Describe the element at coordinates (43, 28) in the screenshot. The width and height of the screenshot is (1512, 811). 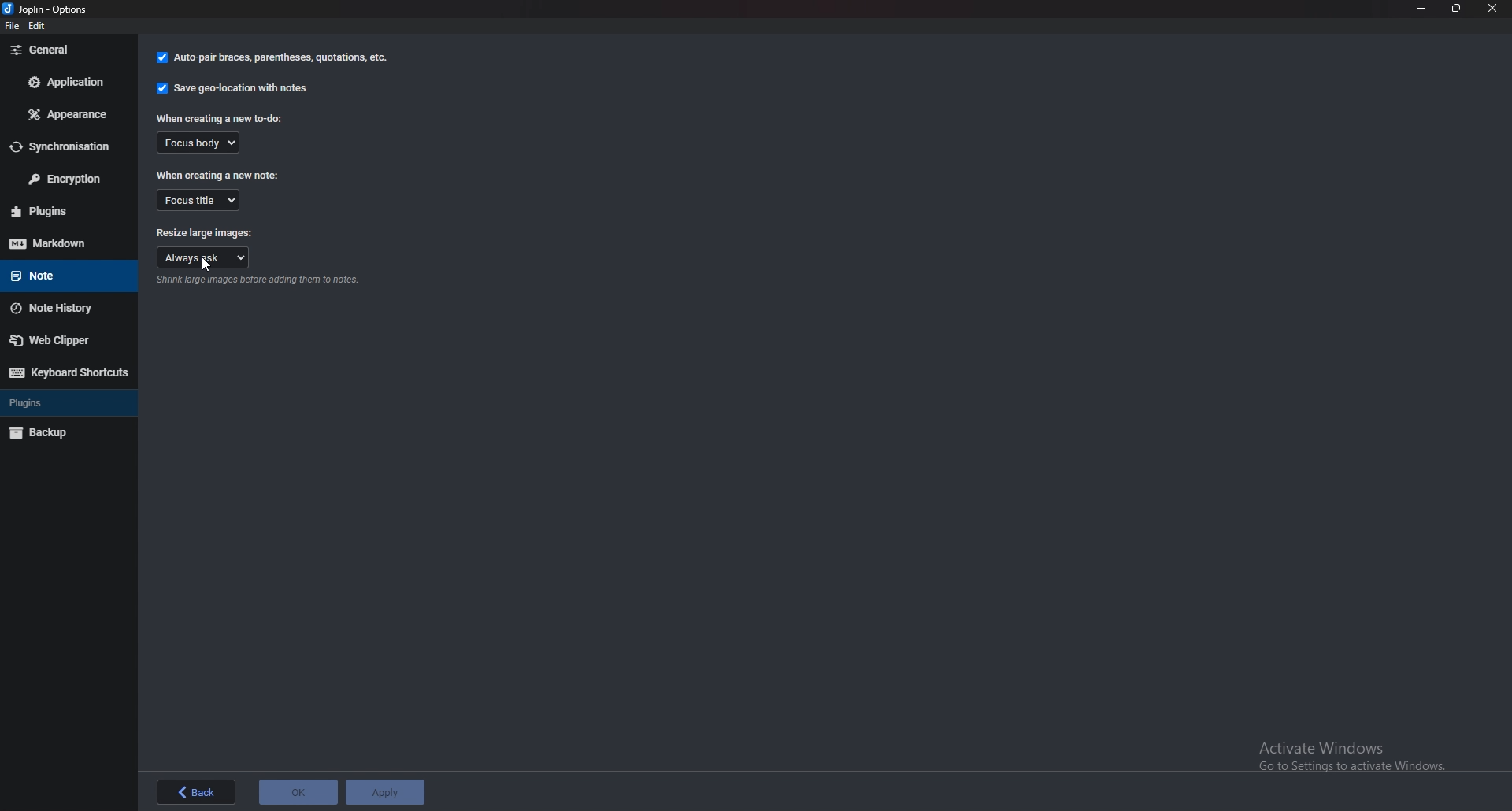
I see `edit` at that location.